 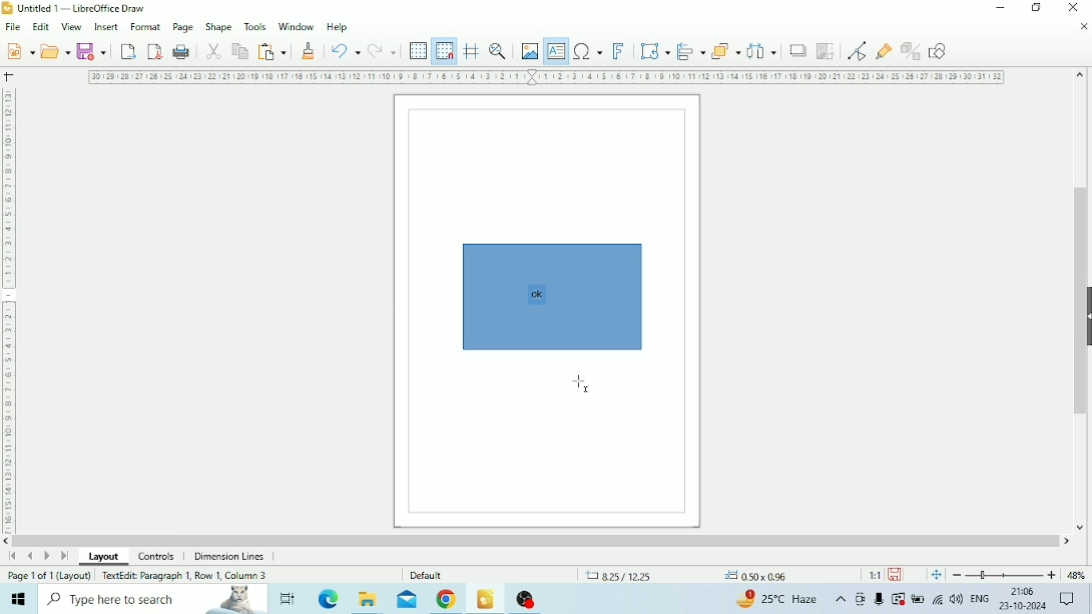 What do you see at coordinates (1035, 9) in the screenshot?
I see `Restore Down` at bounding box center [1035, 9].